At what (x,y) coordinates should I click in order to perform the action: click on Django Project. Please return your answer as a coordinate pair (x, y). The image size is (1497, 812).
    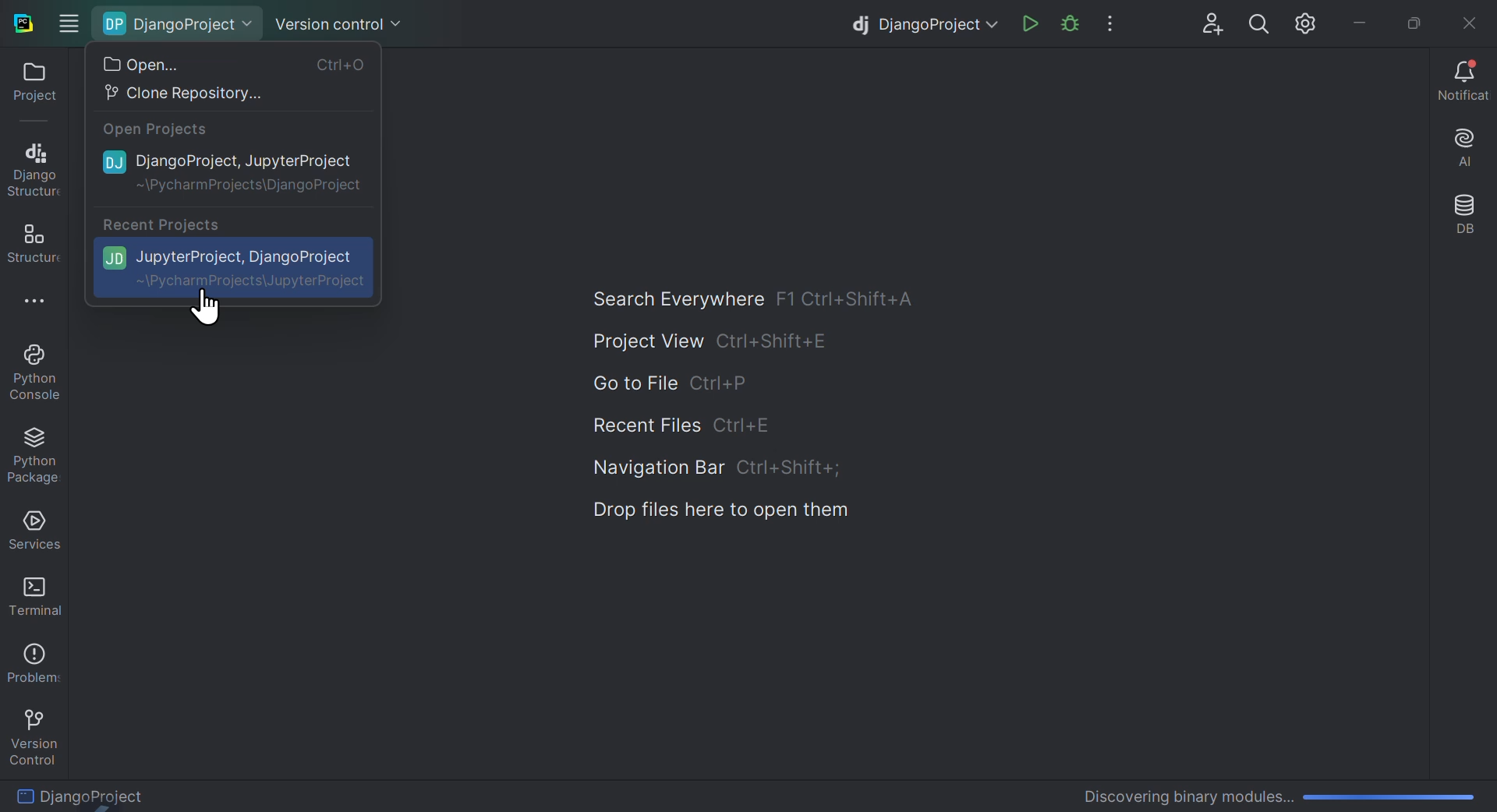
    Looking at the image, I should click on (134, 793).